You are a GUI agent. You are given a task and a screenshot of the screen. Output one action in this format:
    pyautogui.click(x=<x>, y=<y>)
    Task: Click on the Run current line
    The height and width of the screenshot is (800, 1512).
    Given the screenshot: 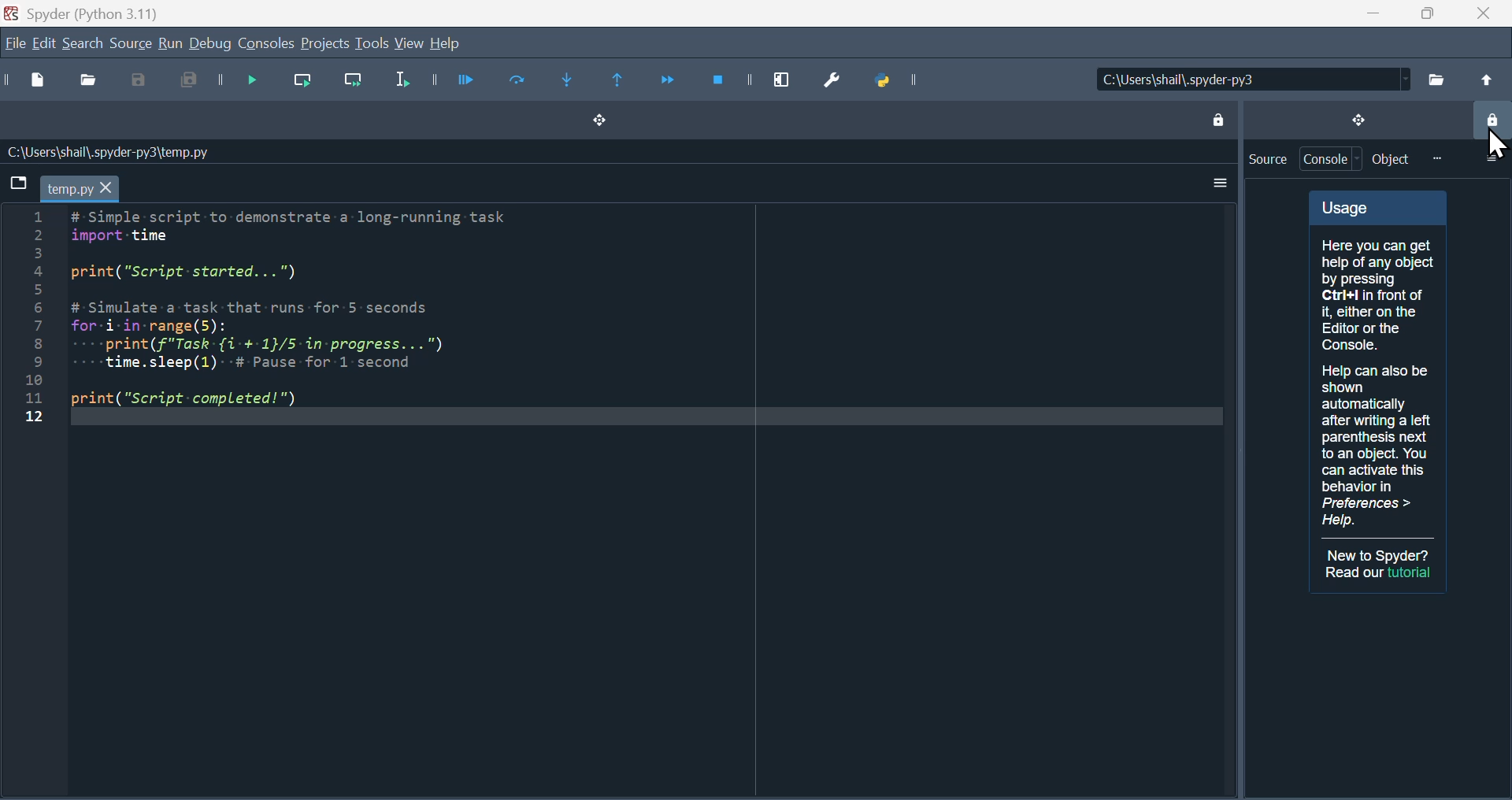 What is the action you would take?
    pyautogui.click(x=305, y=82)
    